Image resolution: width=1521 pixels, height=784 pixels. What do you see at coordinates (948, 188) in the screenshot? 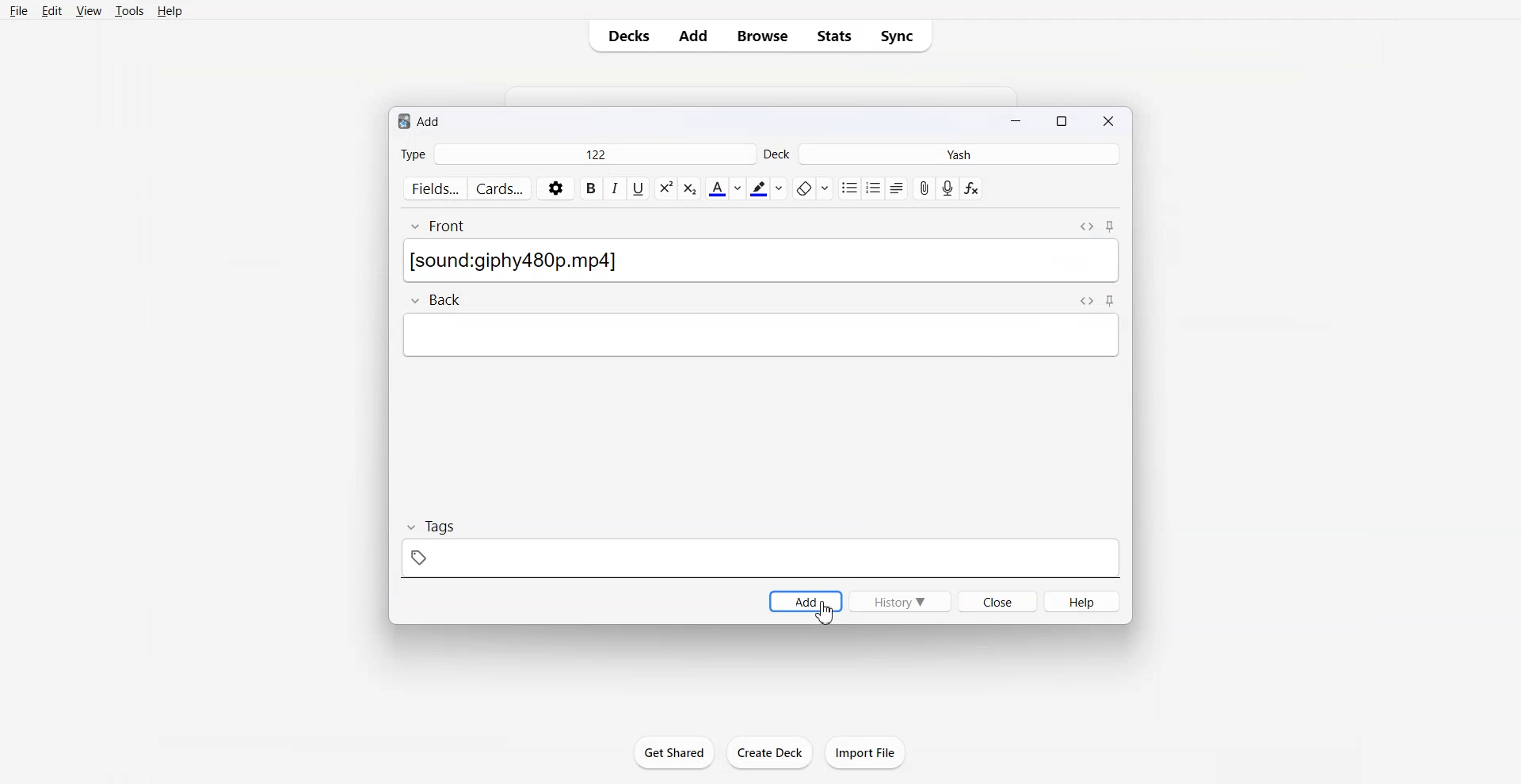
I see `Record Audio` at bounding box center [948, 188].